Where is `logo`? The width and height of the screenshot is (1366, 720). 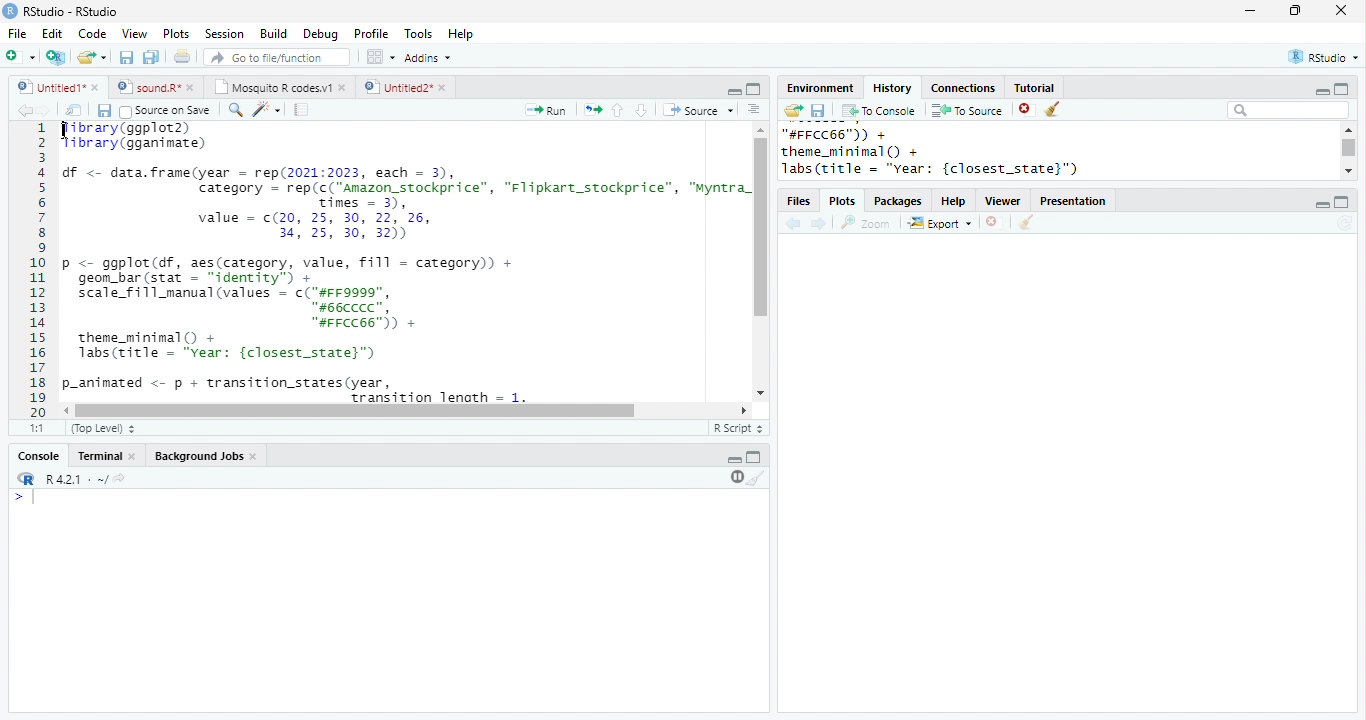
logo is located at coordinates (10, 11).